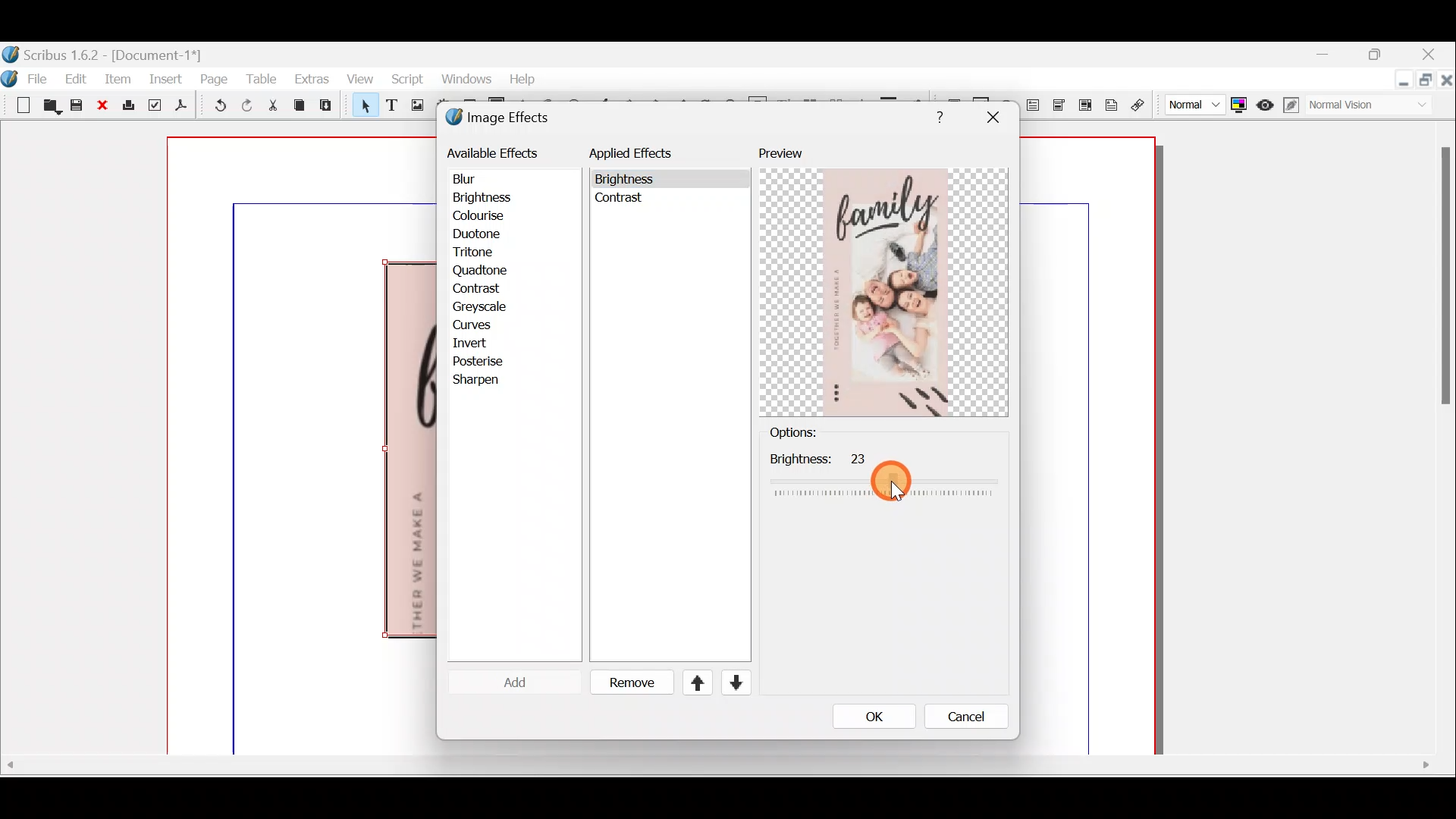 The image size is (1456, 819). What do you see at coordinates (992, 118) in the screenshot?
I see `` at bounding box center [992, 118].